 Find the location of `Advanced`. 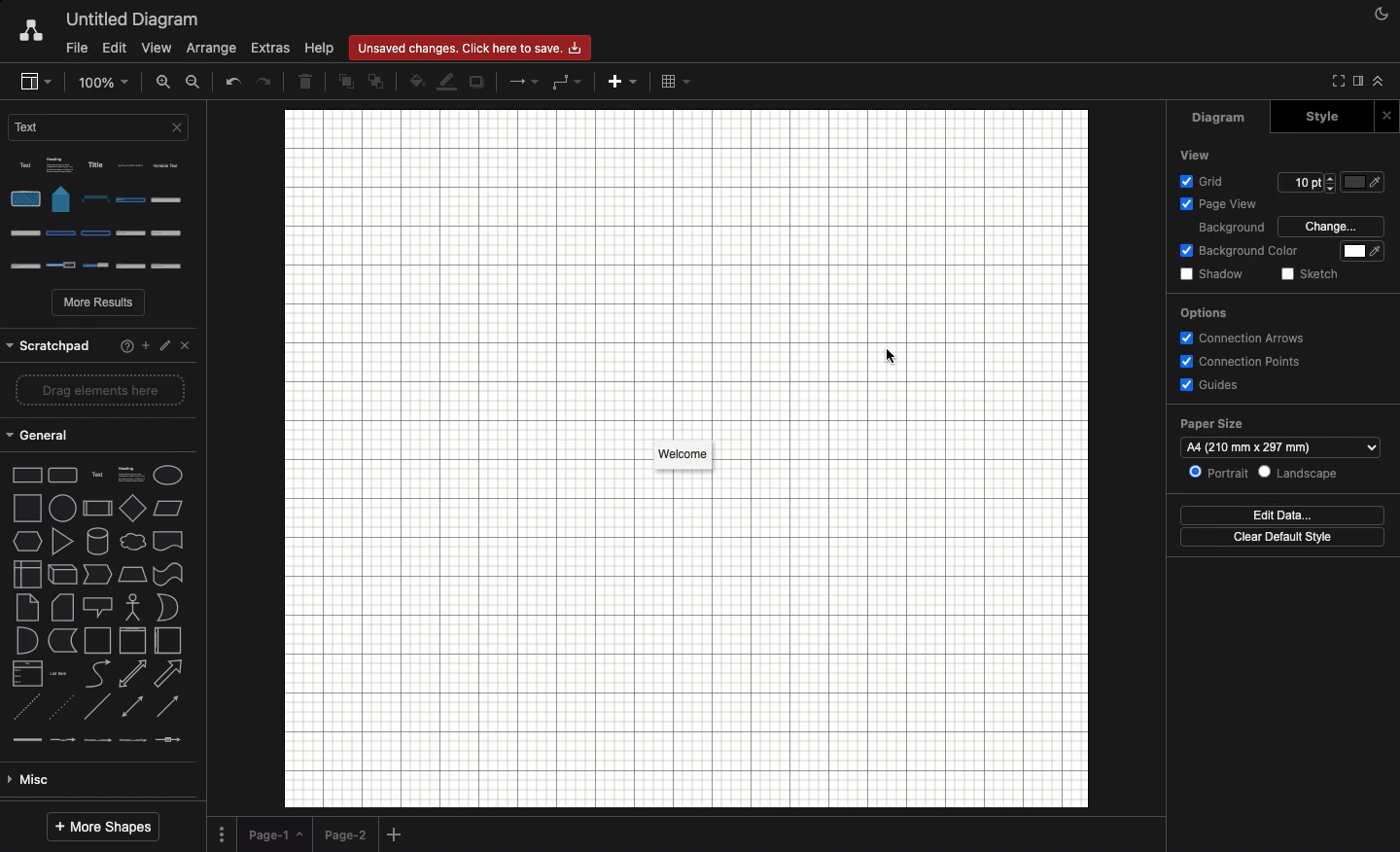

Advanced is located at coordinates (94, 639).